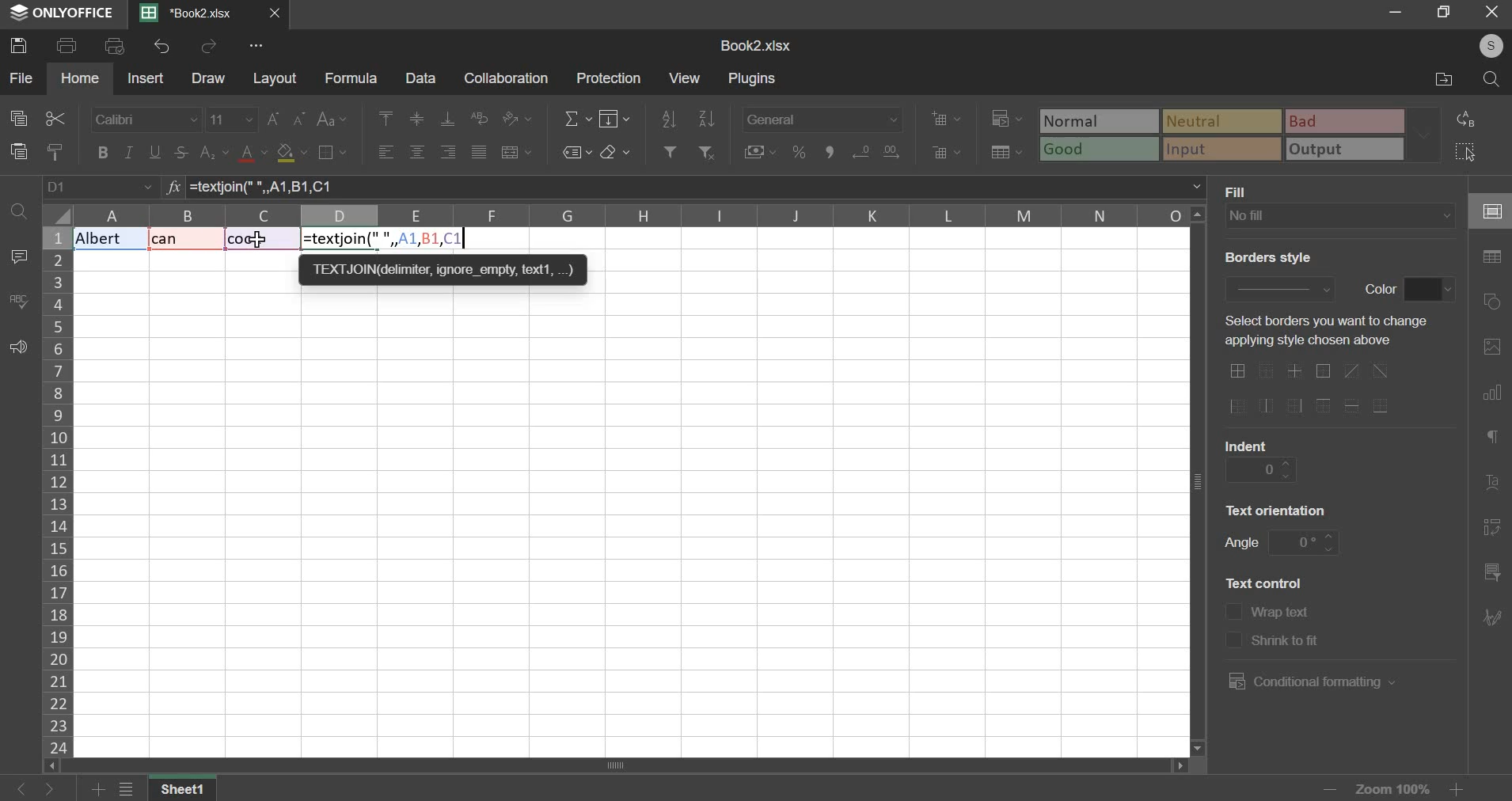 The width and height of the screenshot is (1512, 801). I want to click on text, so click(1241, 191).